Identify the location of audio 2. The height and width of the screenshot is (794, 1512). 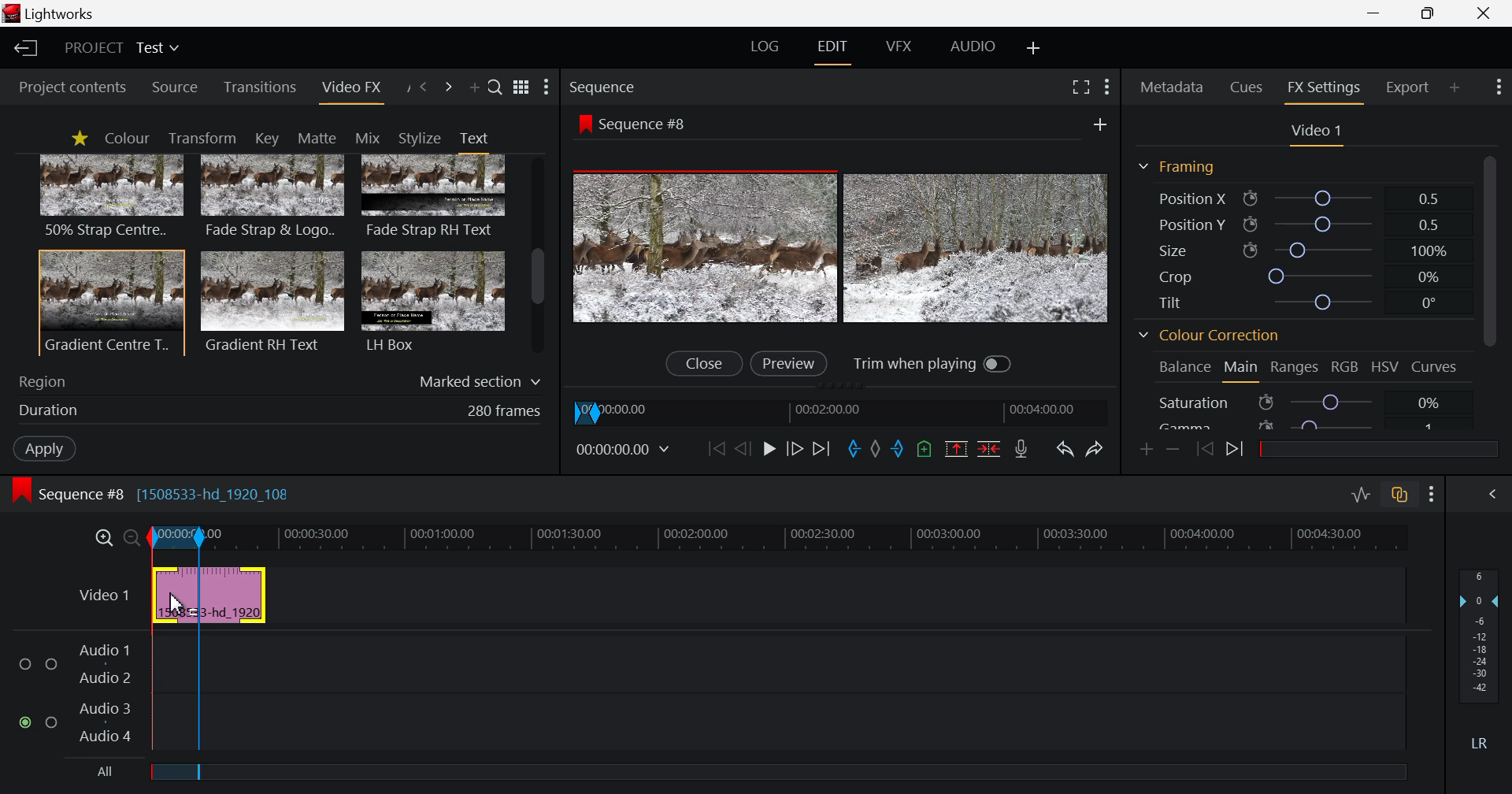
(107, 678).